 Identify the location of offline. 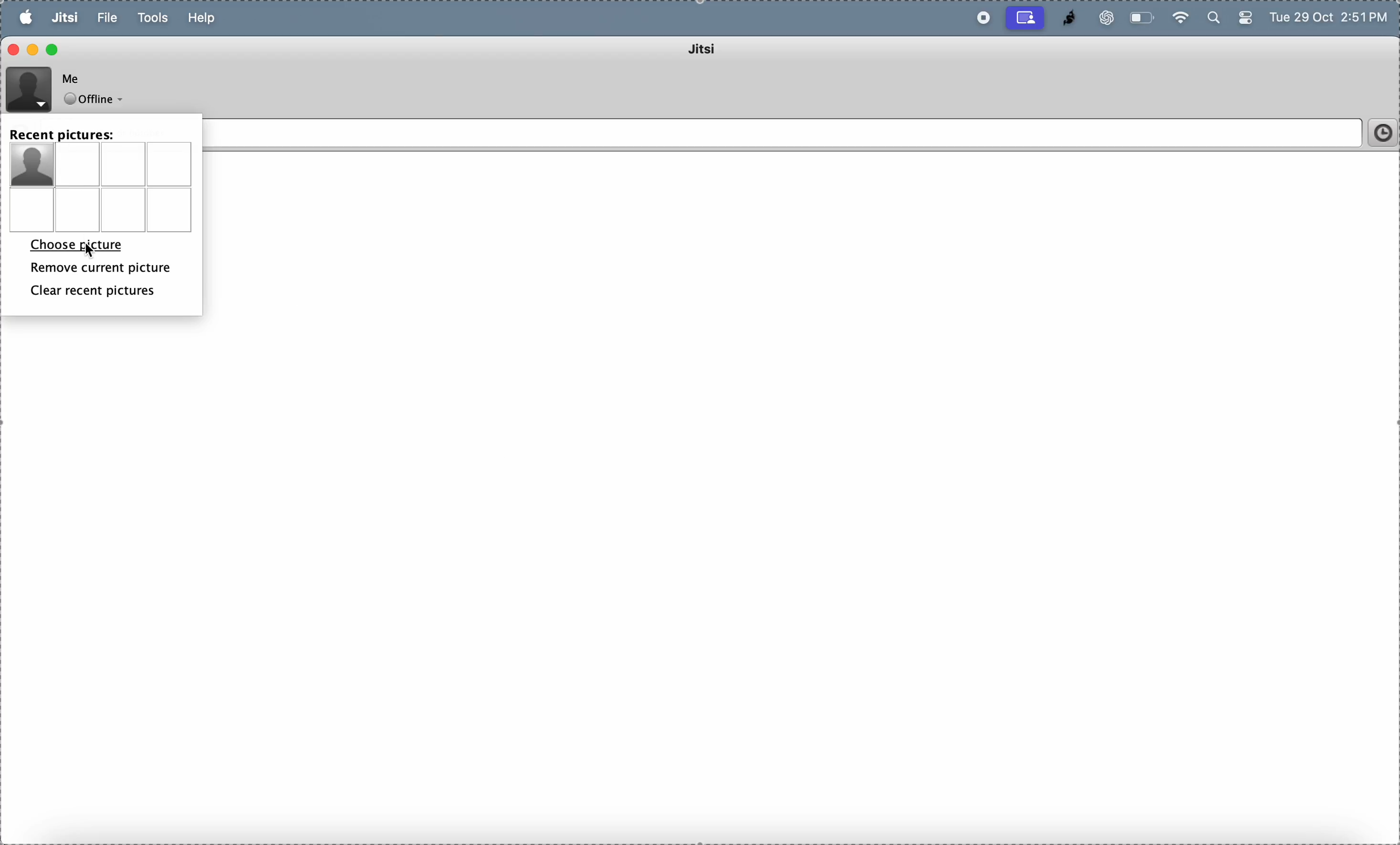
(97, 100).